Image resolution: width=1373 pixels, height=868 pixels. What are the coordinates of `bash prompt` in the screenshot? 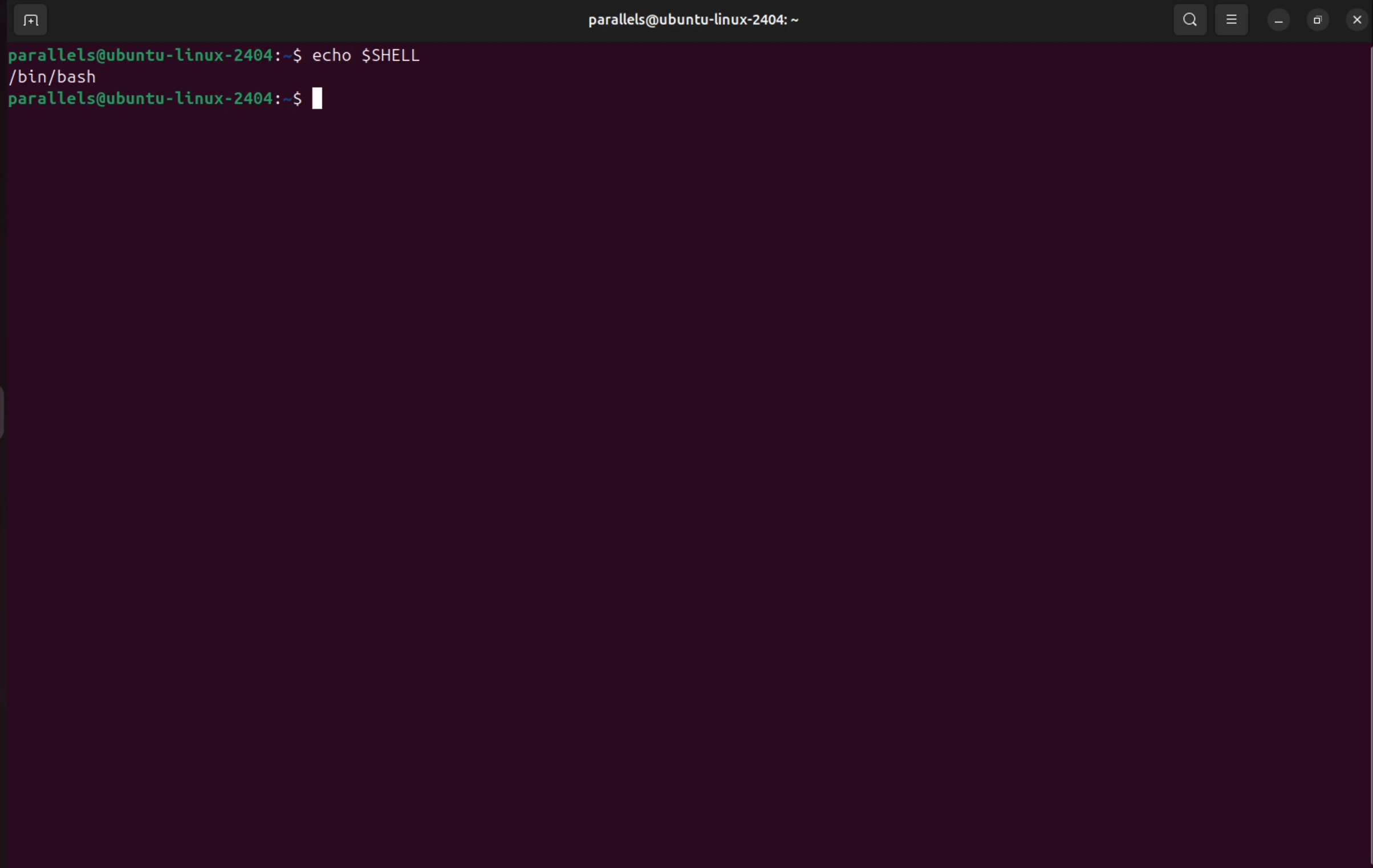 It's located at (154, 52).